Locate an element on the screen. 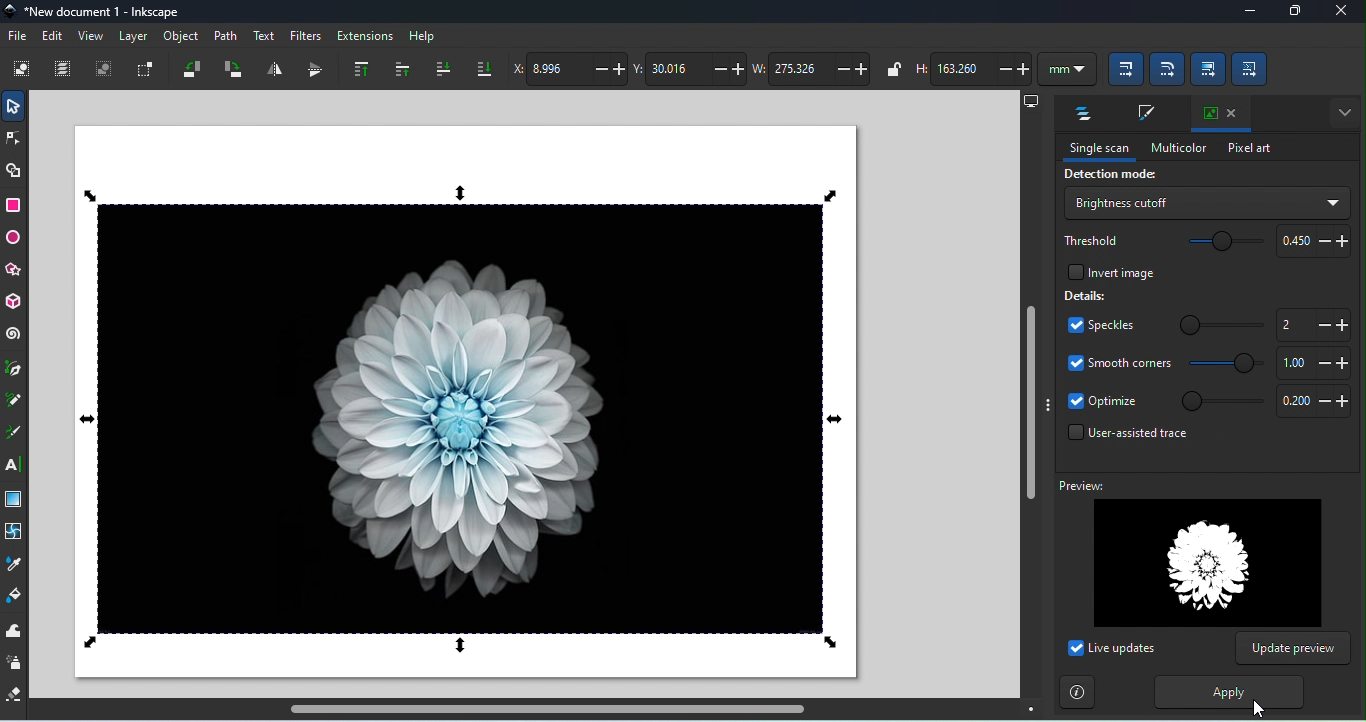 This screenshot has height=722, width=1366. 3D box tool is located at coordinates (13, 302).